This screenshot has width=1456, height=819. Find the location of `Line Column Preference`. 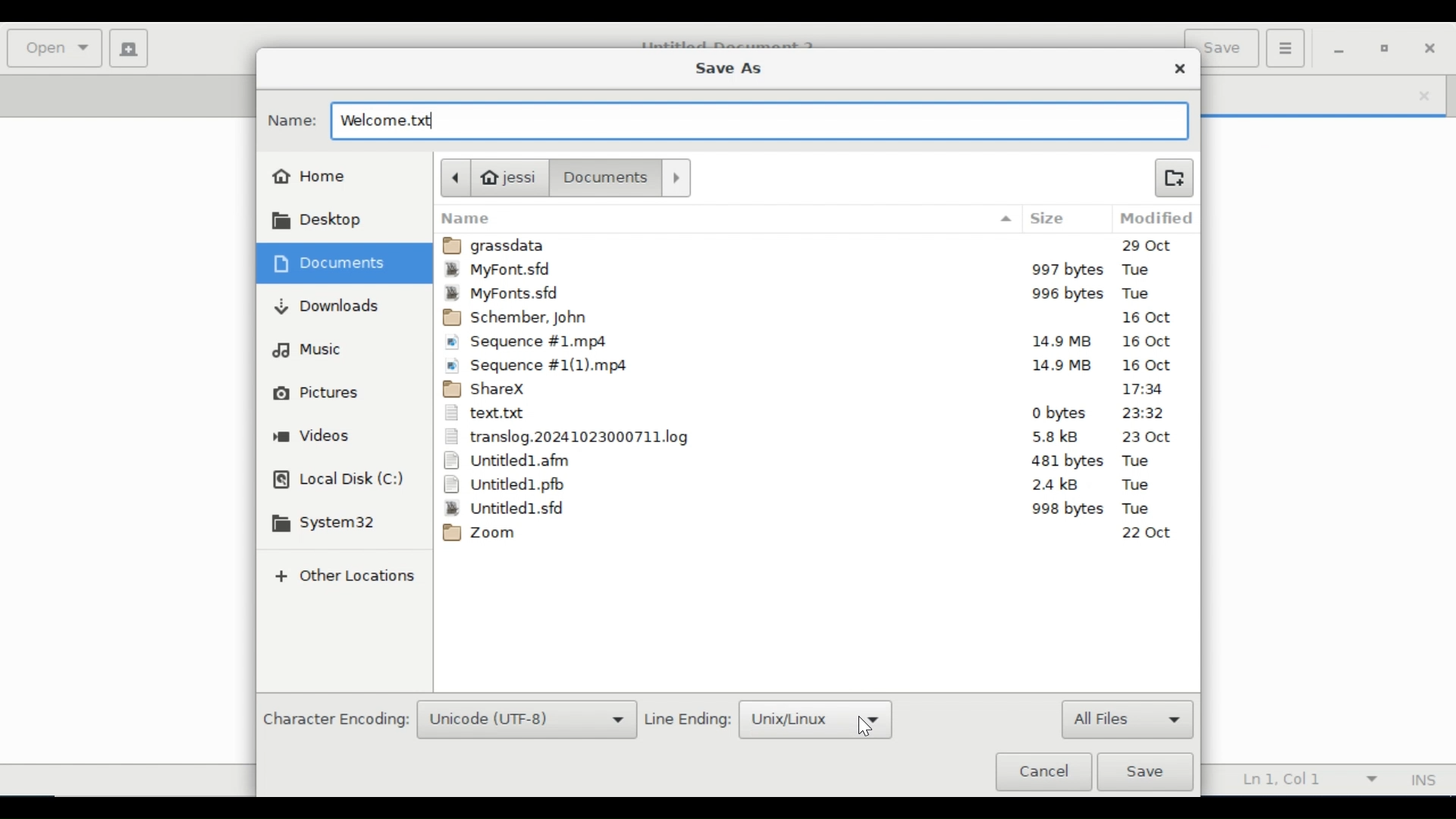

Line Column Preference is located at coordinates (1304, 779).